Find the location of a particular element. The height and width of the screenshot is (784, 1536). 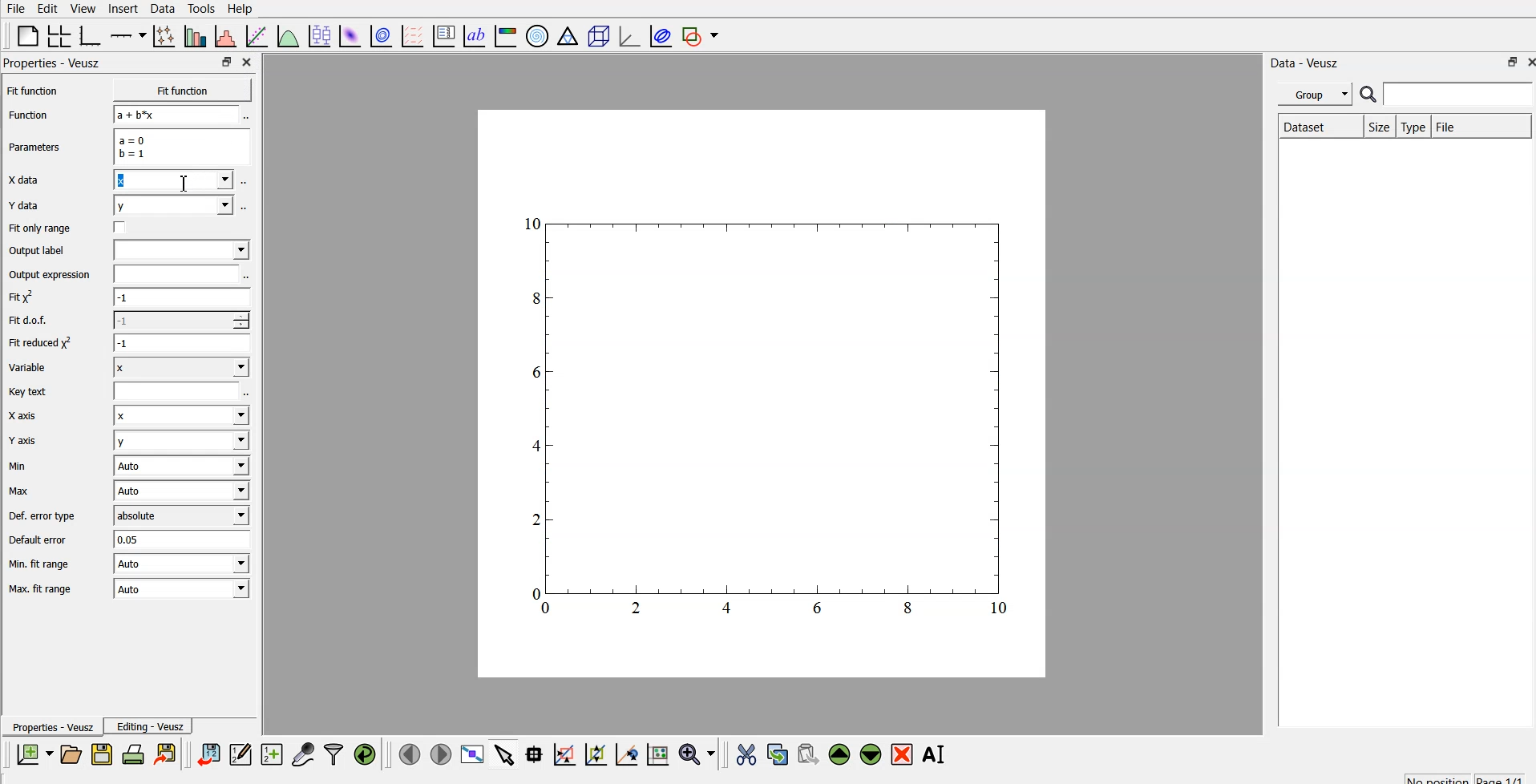

tools is located at coordinates (200, 7).